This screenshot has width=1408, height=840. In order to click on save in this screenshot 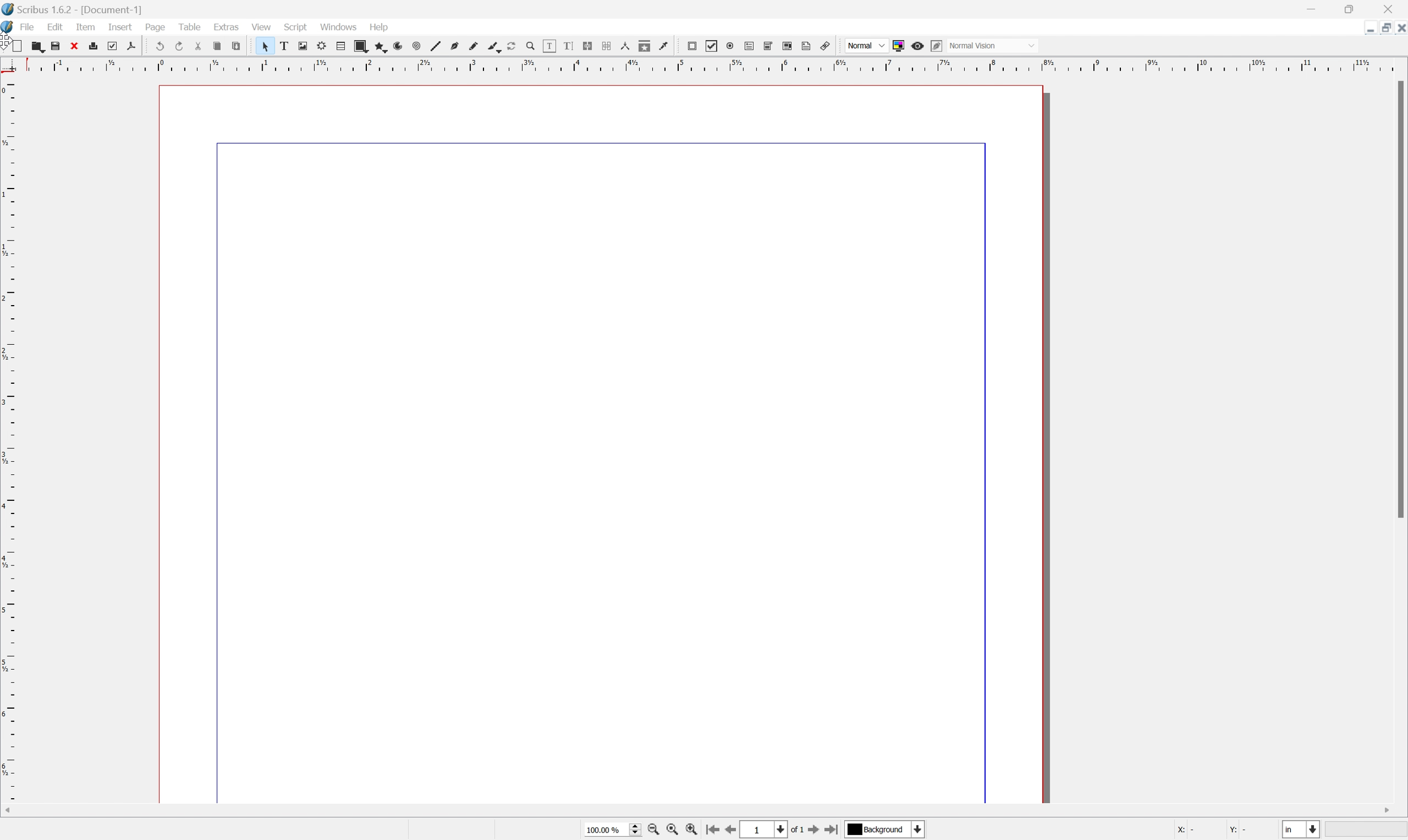, I will do `click(54, 45)`.